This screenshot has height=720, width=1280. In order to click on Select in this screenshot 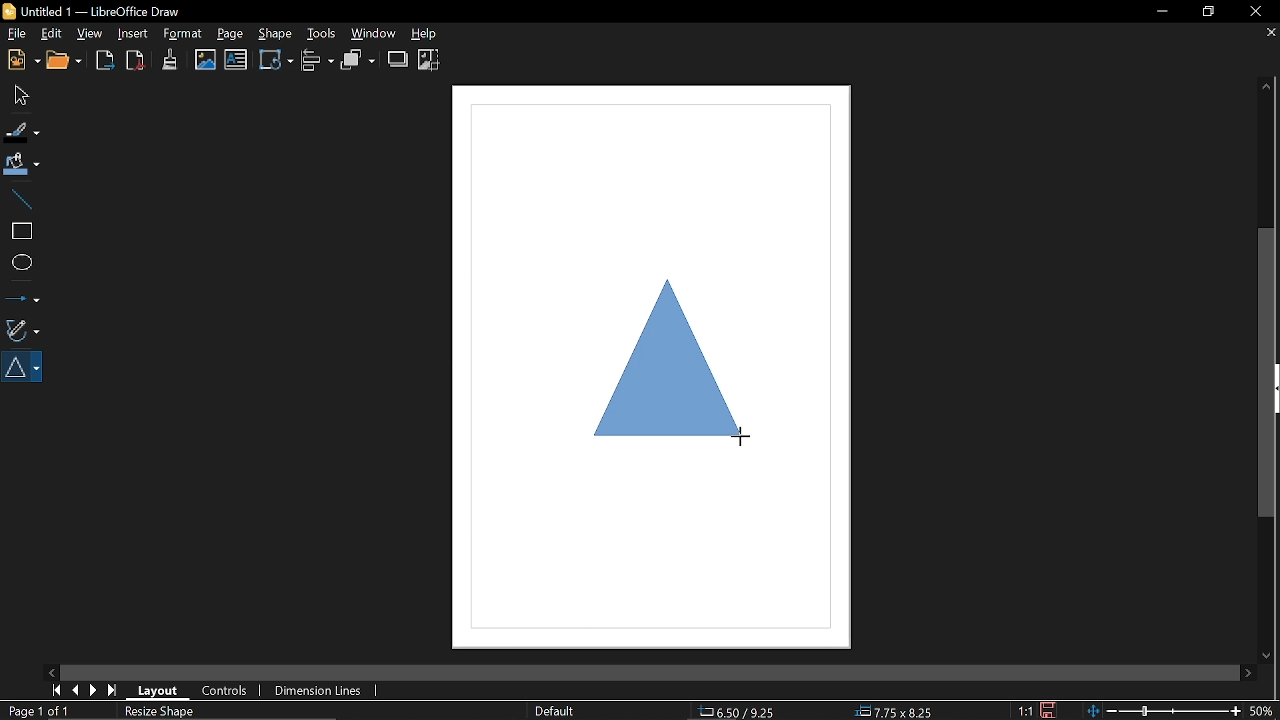, I will do `click(19, 94)`.